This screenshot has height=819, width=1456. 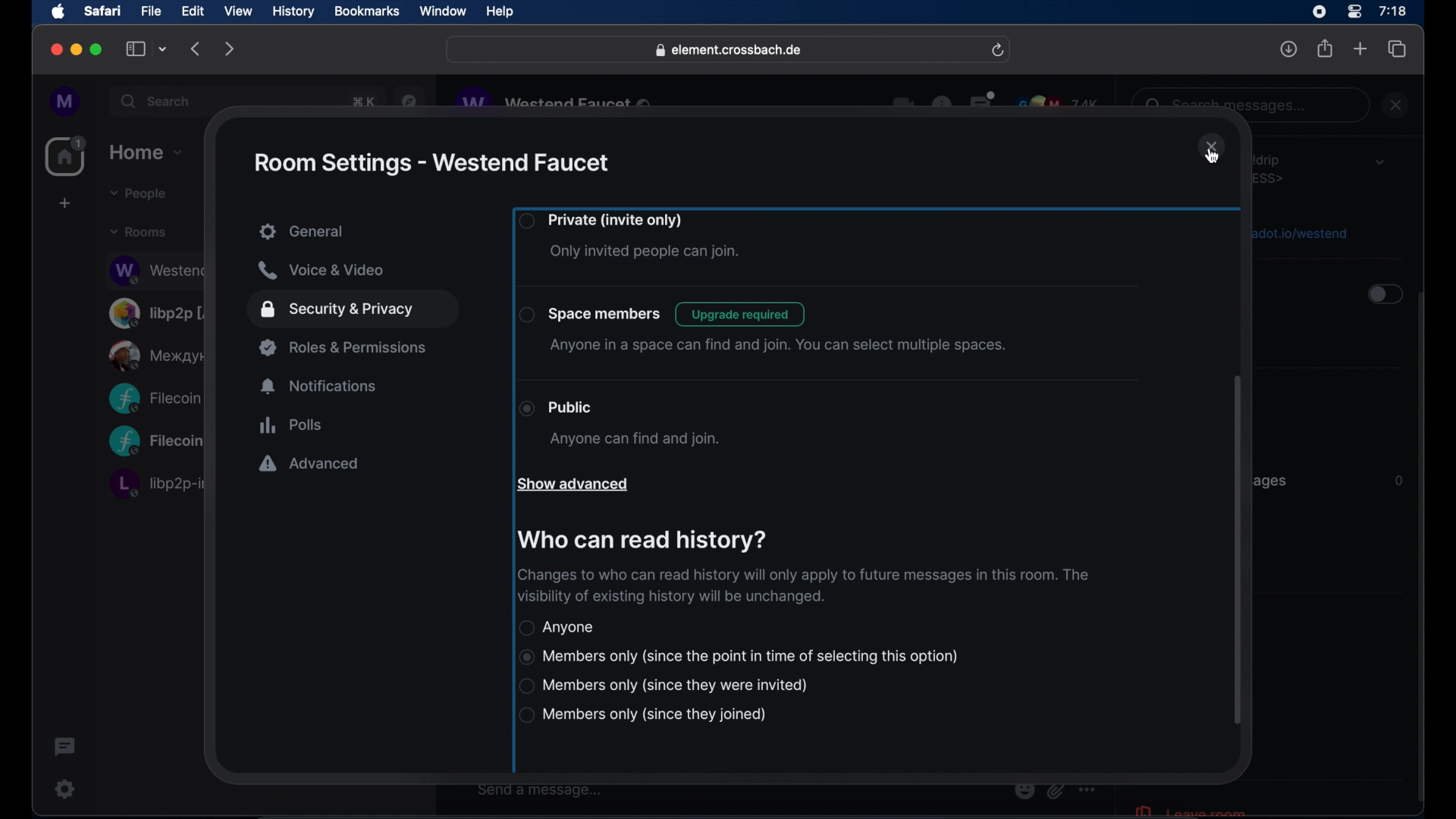 What do you see at coordinates (500, 12) in the screenshot?
I see `help` at bounding box center [500, 12].